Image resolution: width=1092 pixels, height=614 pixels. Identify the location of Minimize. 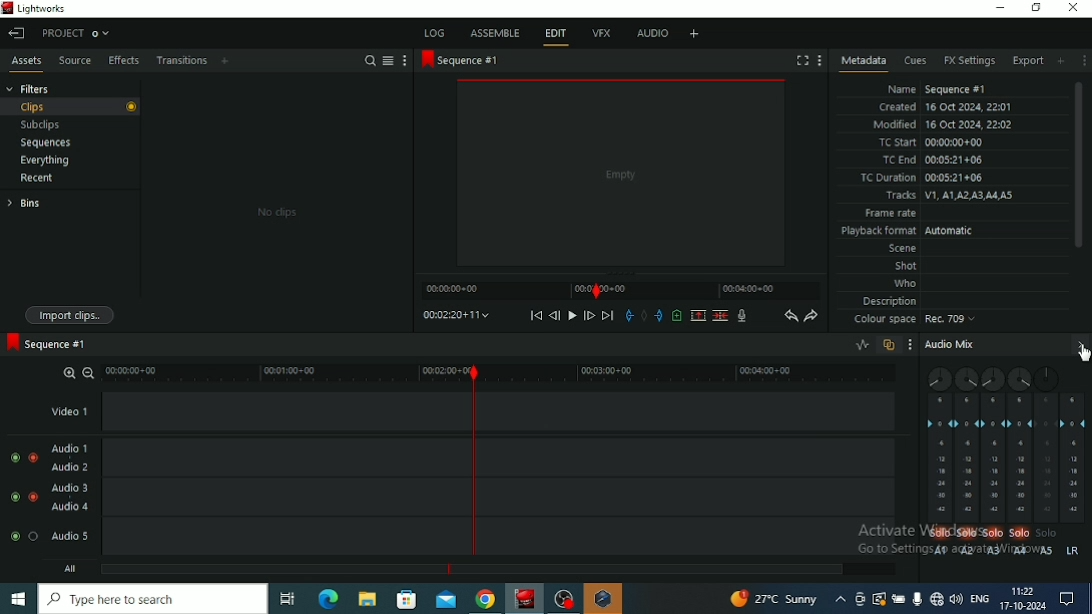
(1000, 7).